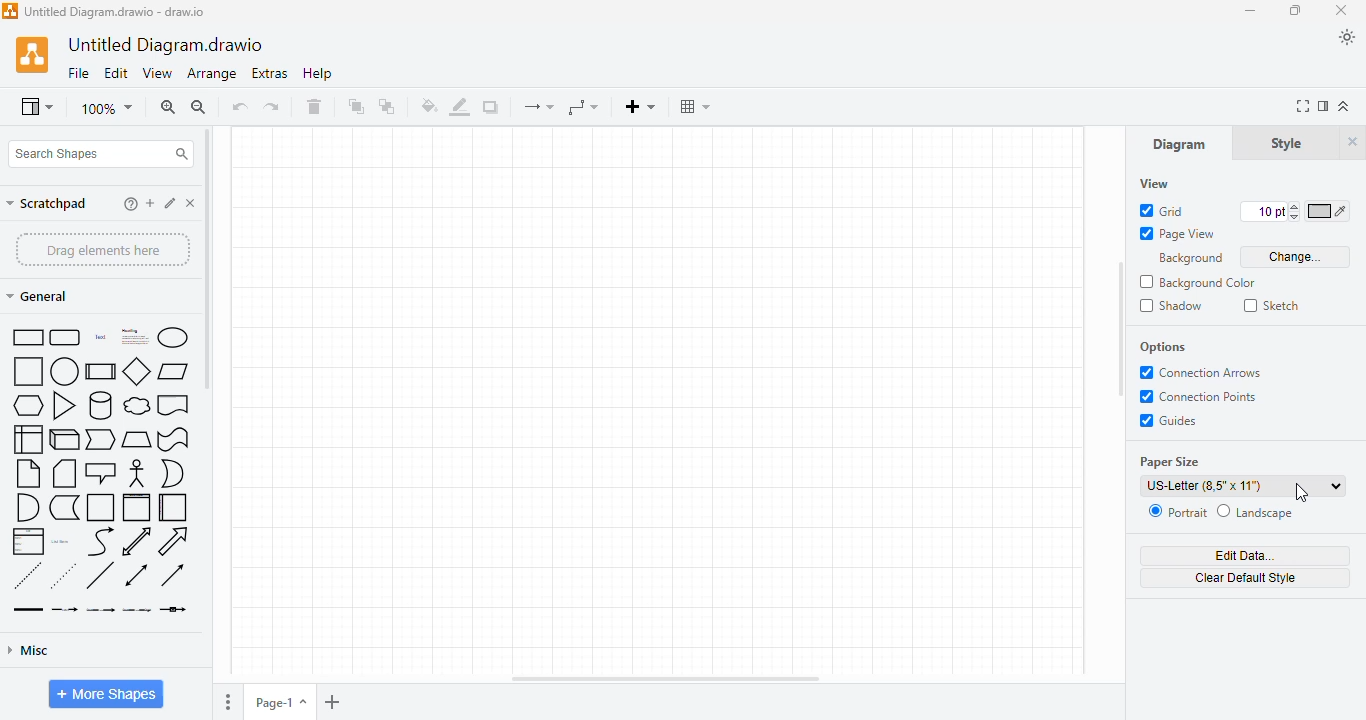 Image resolution: width=1366 pixels, height=720 pixels. Describe the element at coordinates (694, 106) in the screenshot. I see `table` at that location.